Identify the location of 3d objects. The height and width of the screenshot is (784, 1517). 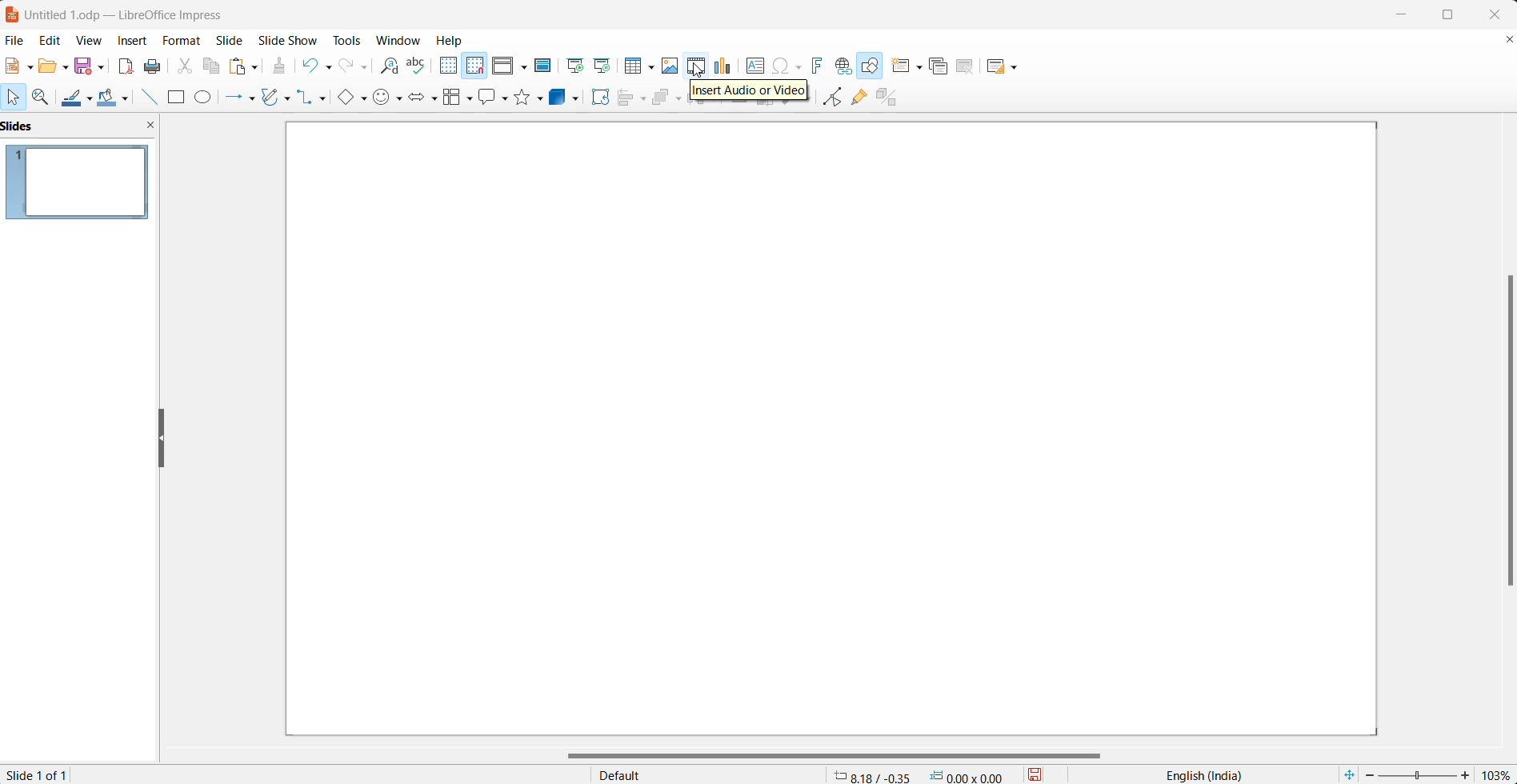
(561, 98).